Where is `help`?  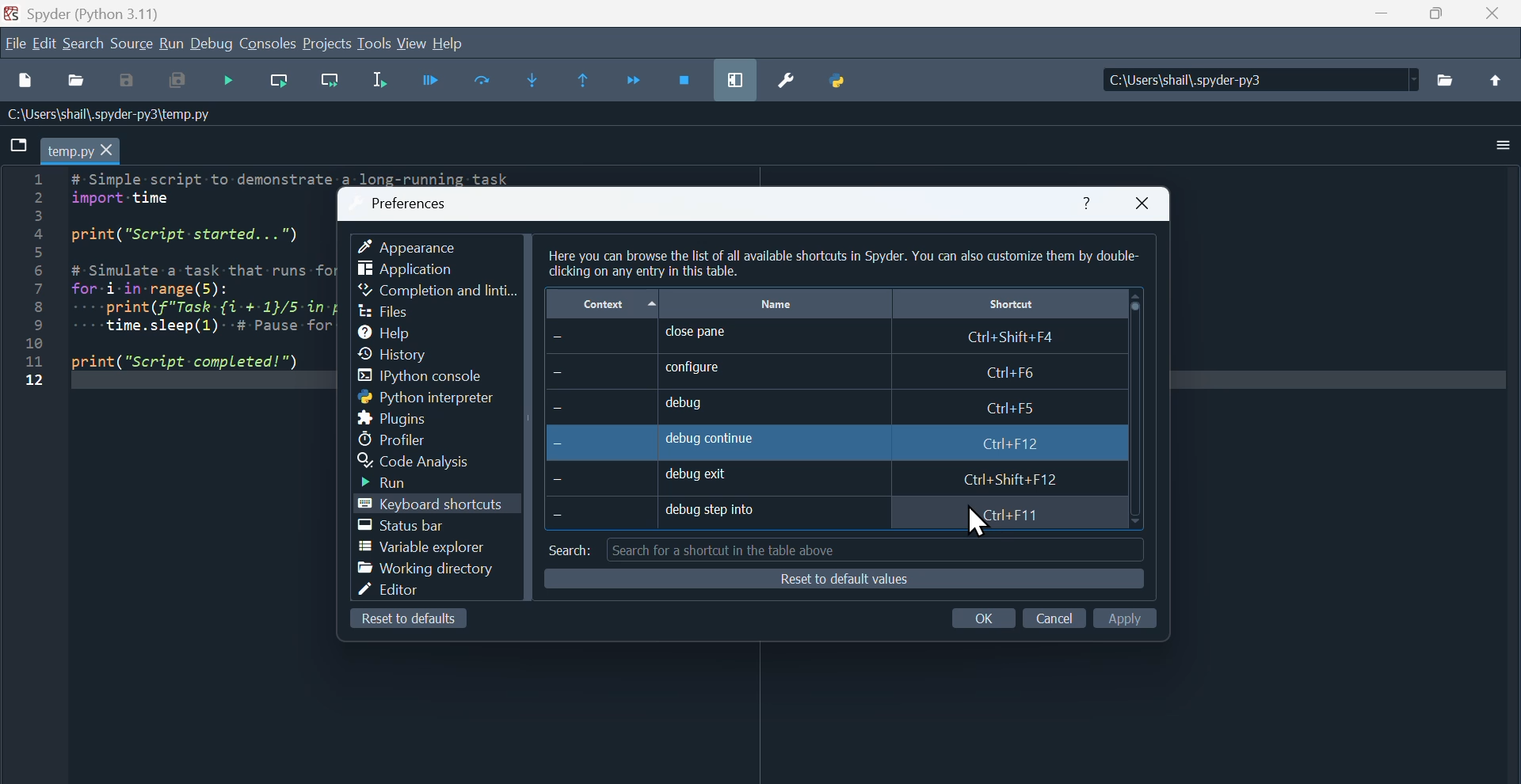
help is located at coordinates (1087, 204).